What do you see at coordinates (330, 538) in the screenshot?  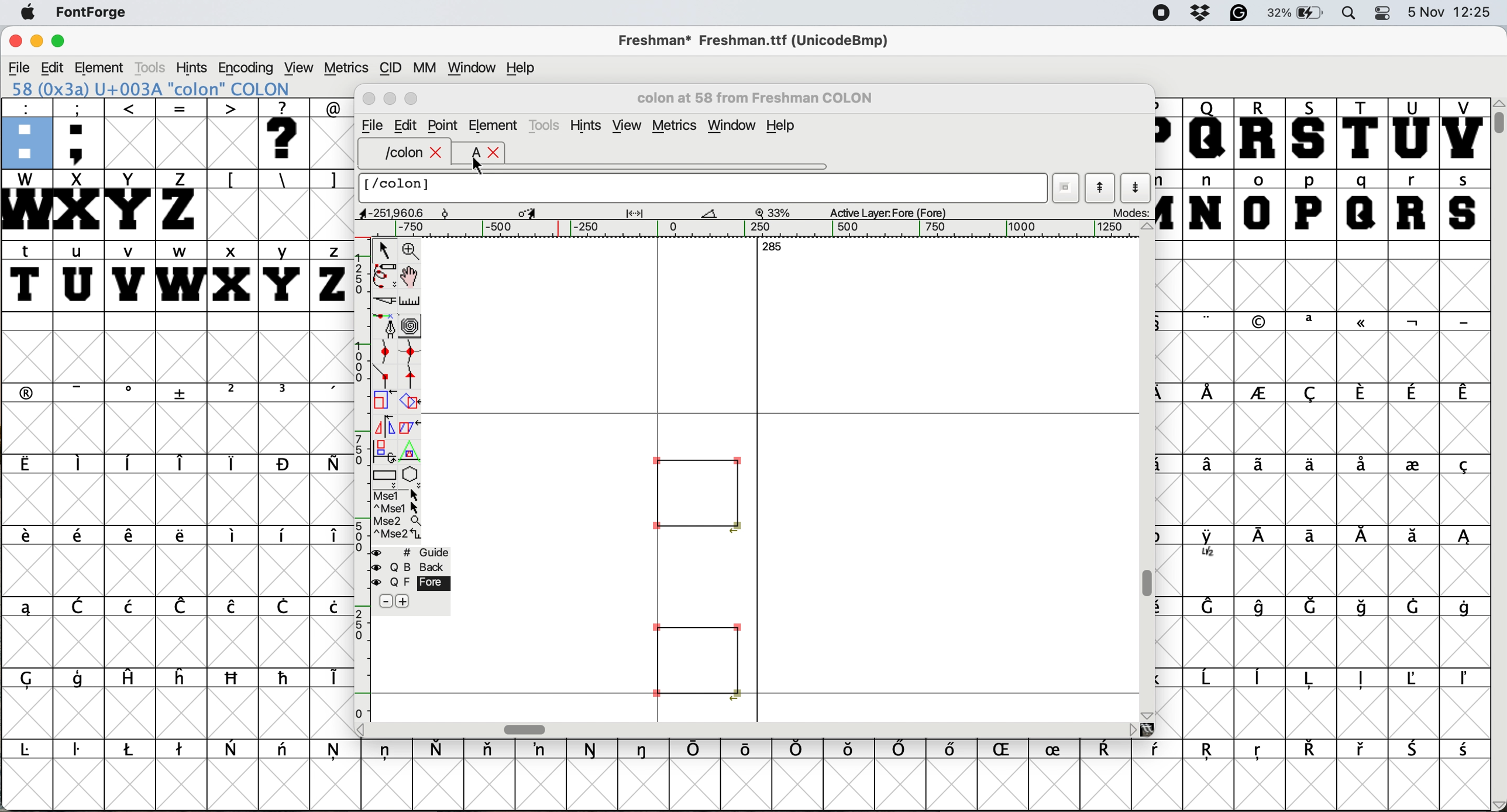 I see `symbol` at bounding box center [330, 538].